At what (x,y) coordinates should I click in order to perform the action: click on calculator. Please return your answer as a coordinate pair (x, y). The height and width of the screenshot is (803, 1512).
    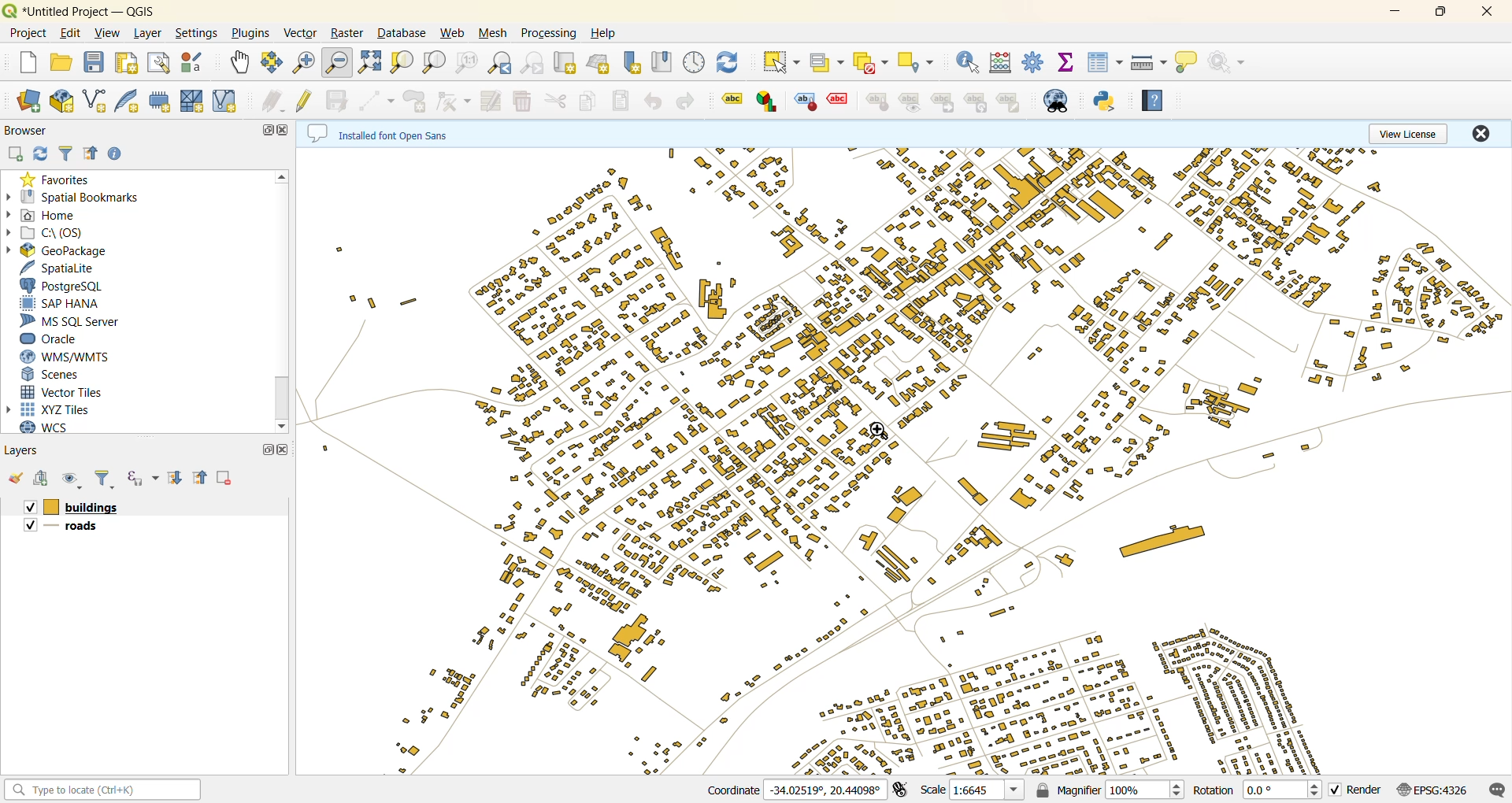
    Looking at the image, I should click on (1001, 62).